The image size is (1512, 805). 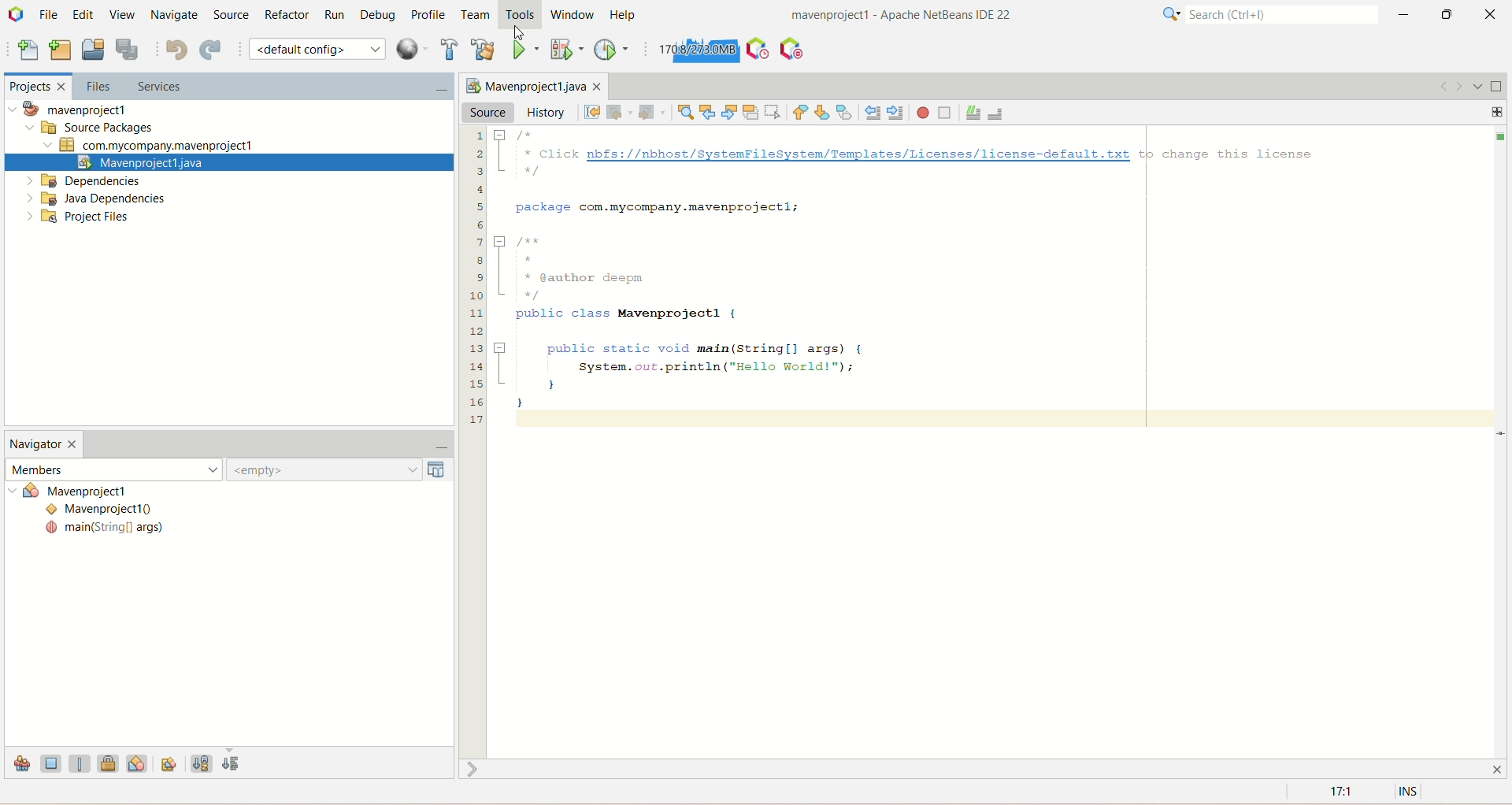 I want to click on add, so click(x=1498, y=110).